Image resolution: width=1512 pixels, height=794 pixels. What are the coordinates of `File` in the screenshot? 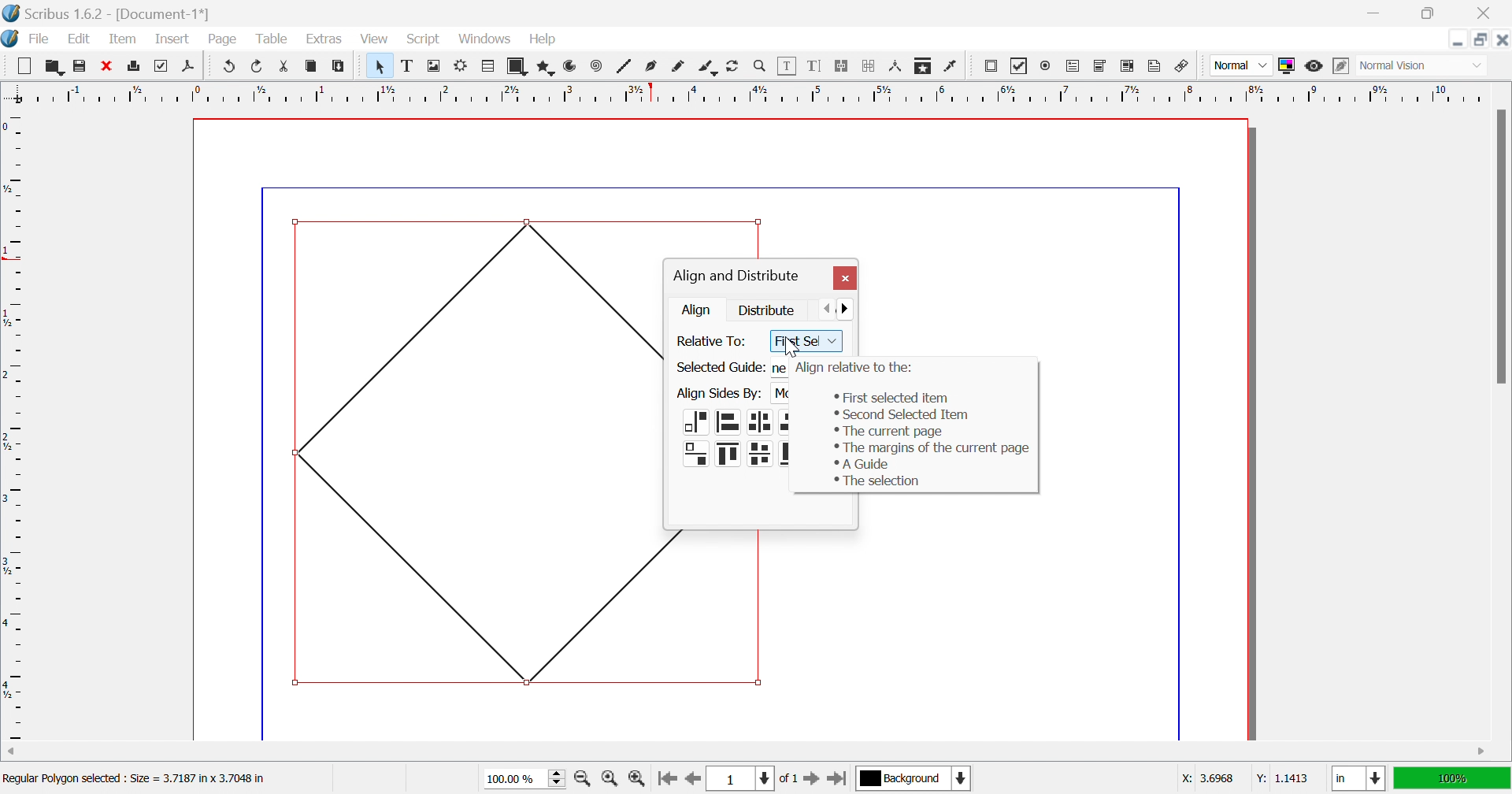 It's located at (40, 40).